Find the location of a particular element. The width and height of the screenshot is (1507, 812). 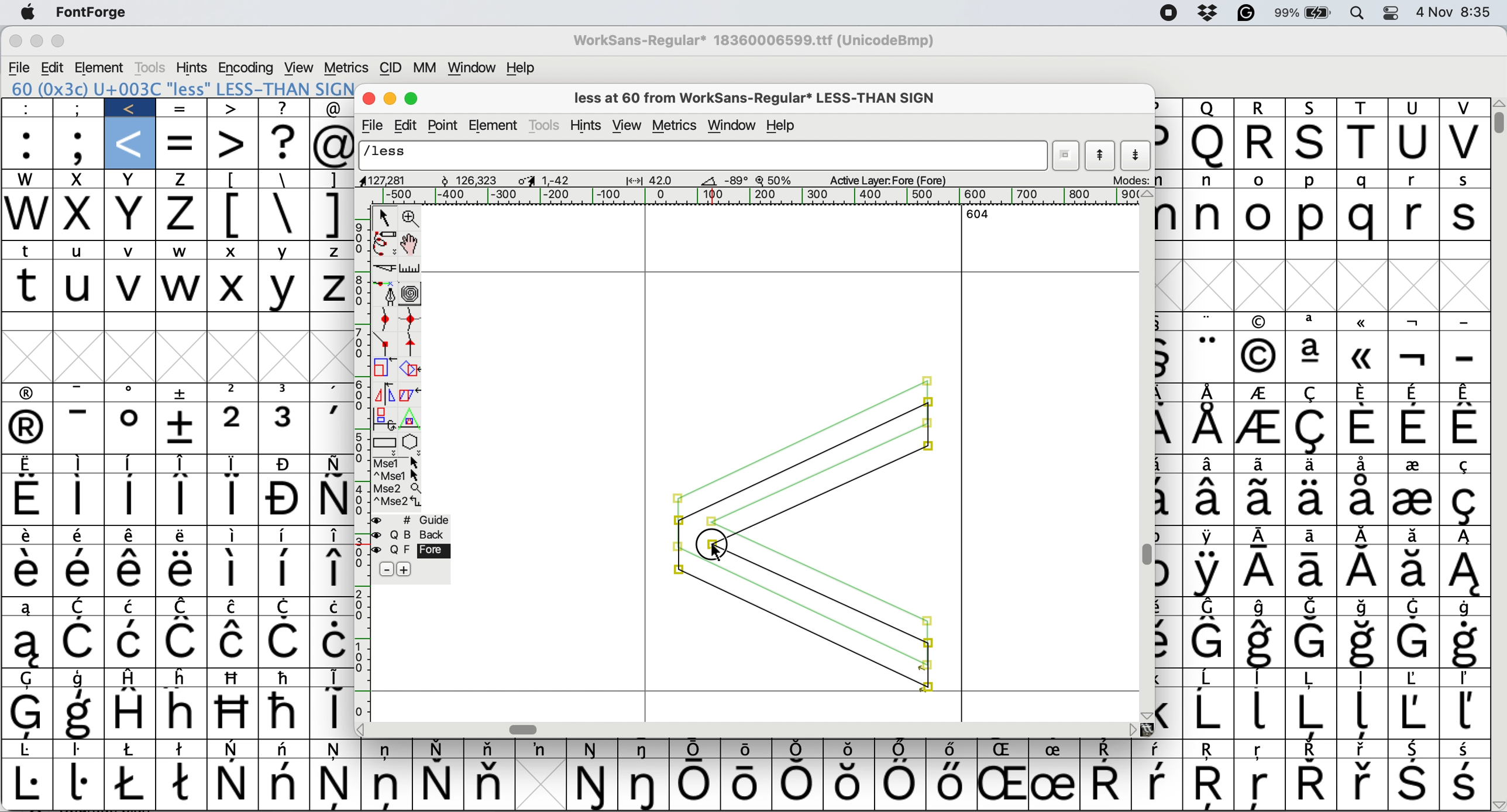

Symbol is located at coordinates (330, 535).